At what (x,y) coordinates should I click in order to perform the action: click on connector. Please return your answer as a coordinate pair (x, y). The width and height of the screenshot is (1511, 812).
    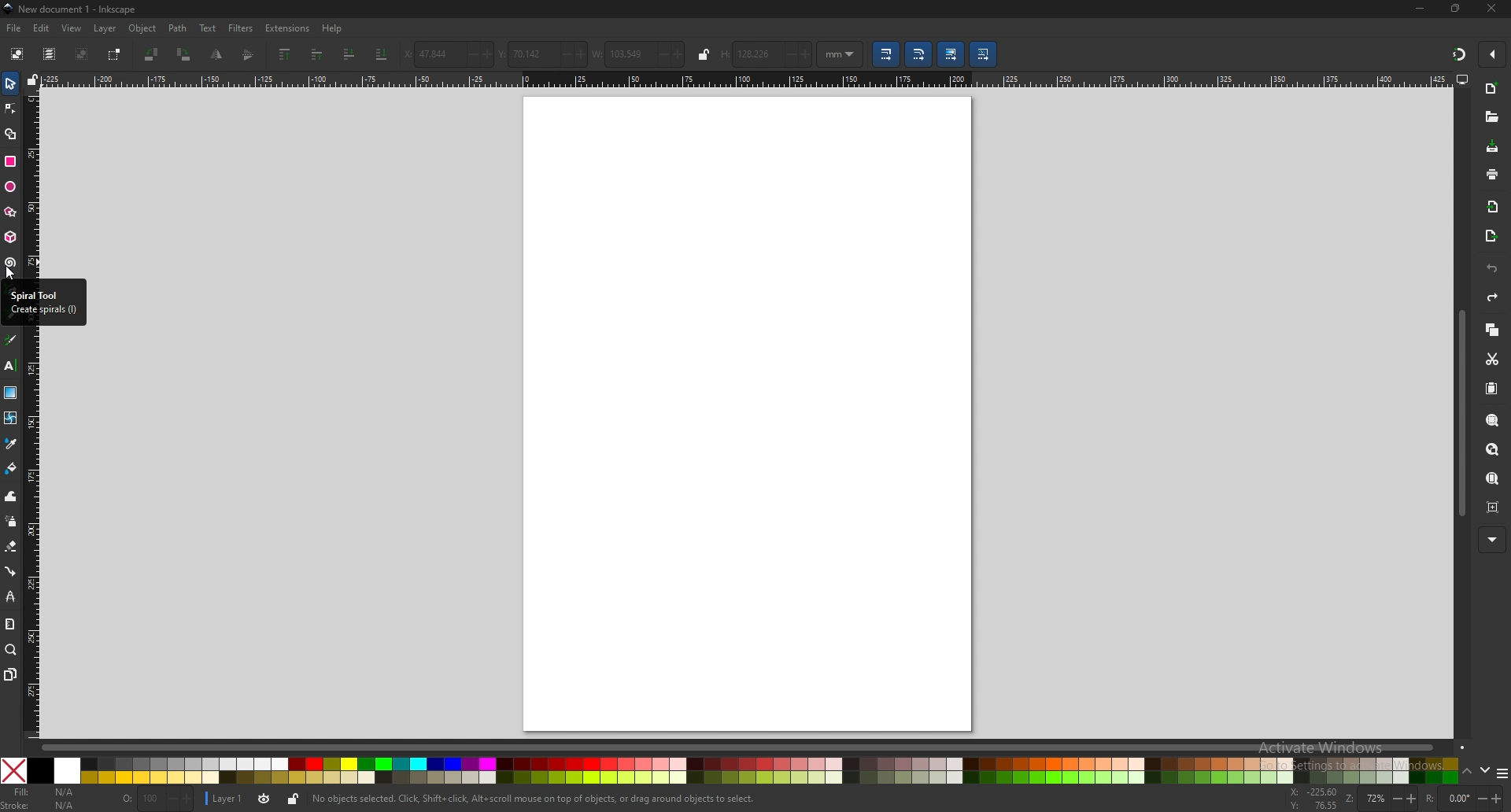
    Looking at the image, I should click on (10, 572).